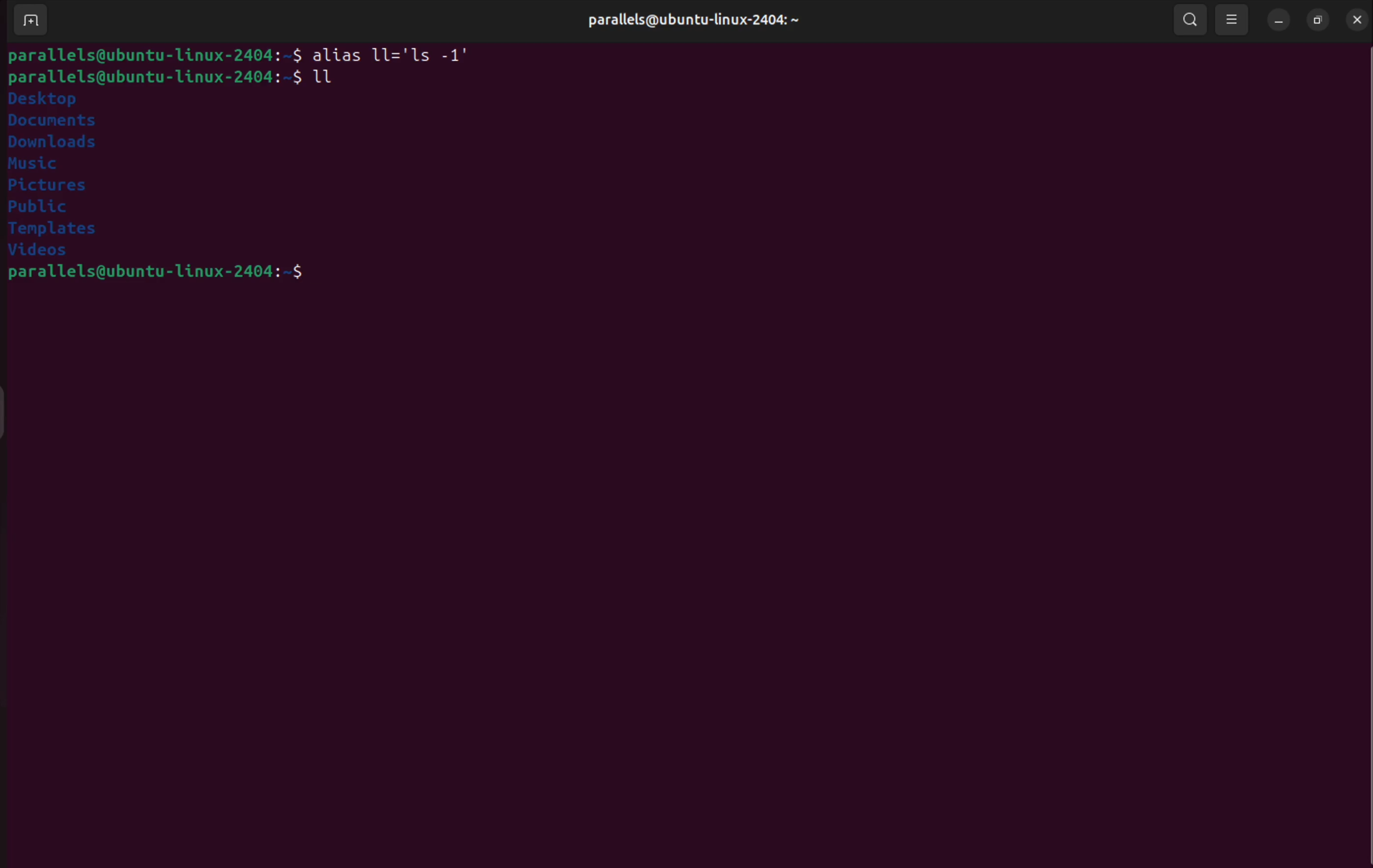 This screenshot has height=868, width=1373. Describe the element at coordinates (60, 231) in the screenshot. I see `templates` at that location.